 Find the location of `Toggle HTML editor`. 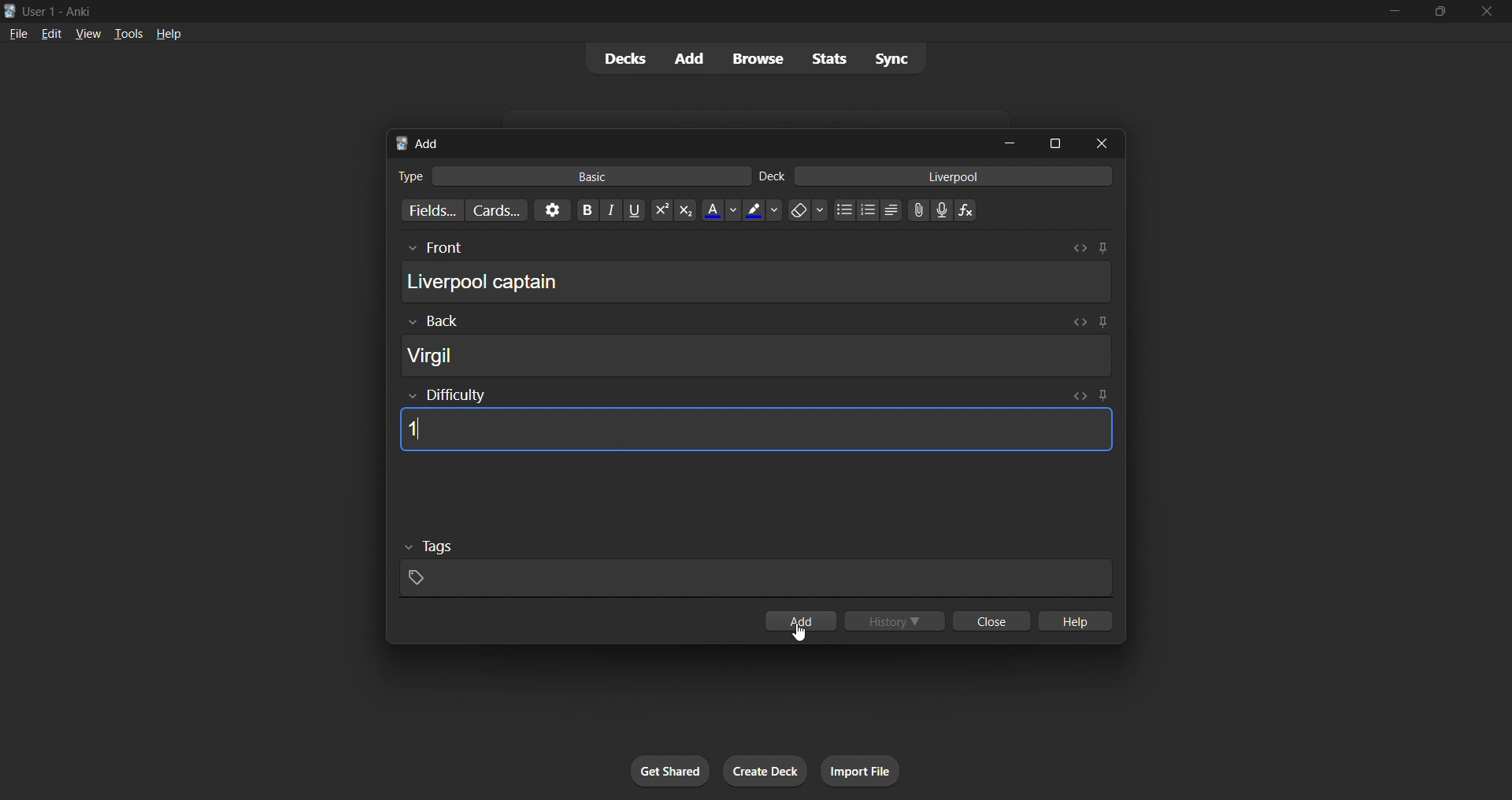

Toggle HTML editor is located at coordinates (1080, 396).